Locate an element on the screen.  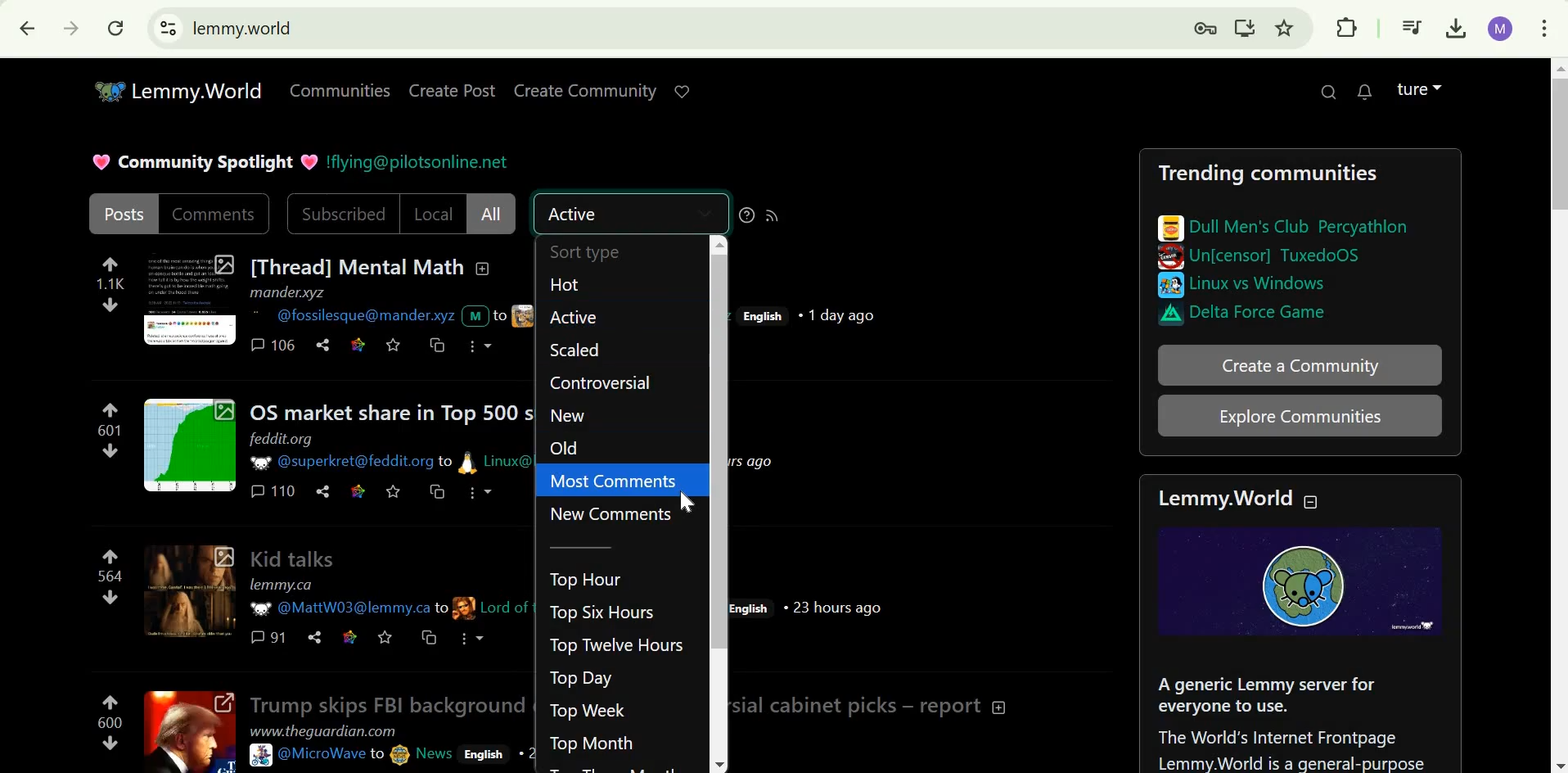
@MattW03@lemmy.ca to is located at coordinates (358, 608).